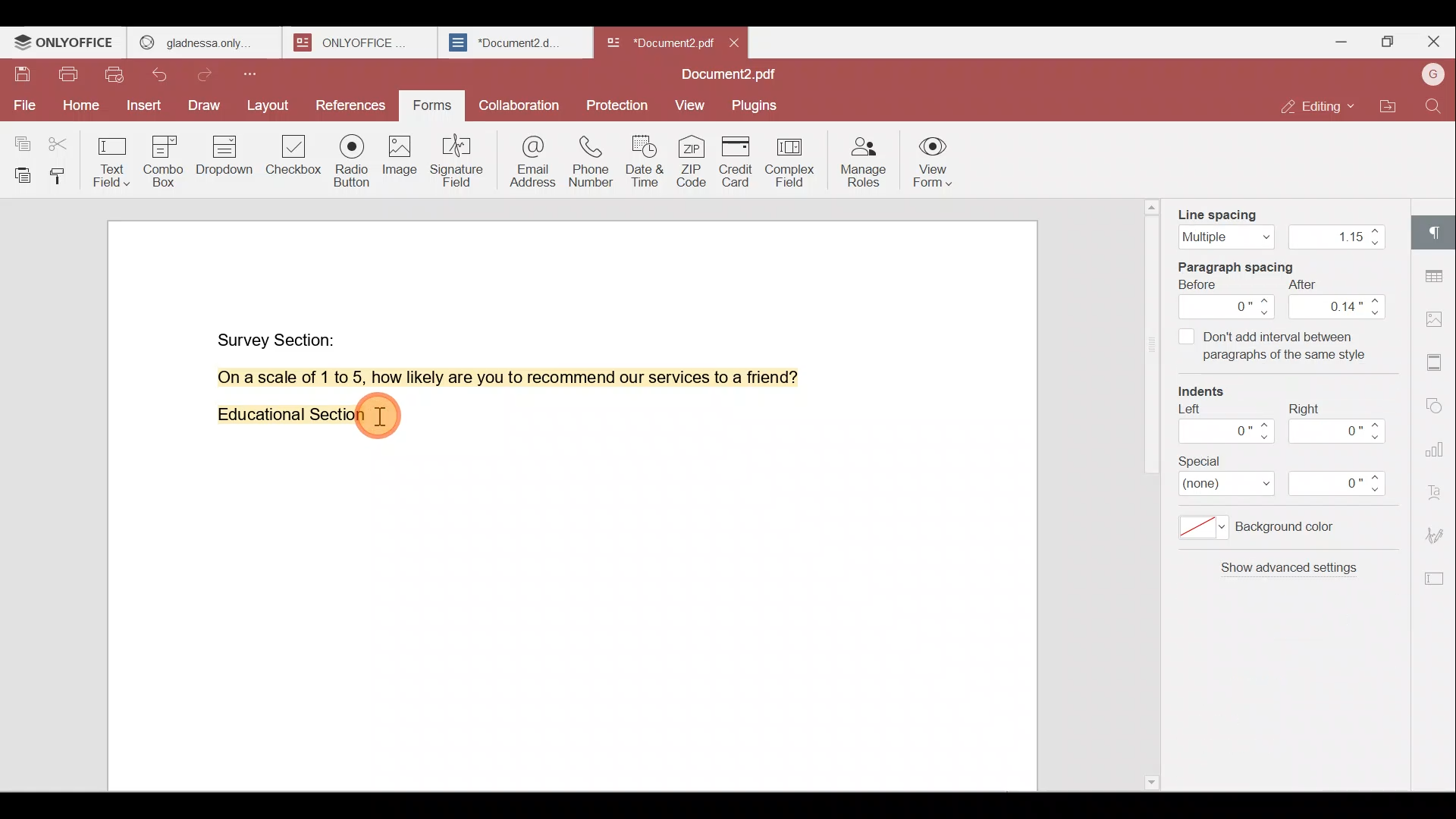  What do you see at coordinates (733, 76) in the screenshot?
I see `Document name` at bounding box center [733, 76].